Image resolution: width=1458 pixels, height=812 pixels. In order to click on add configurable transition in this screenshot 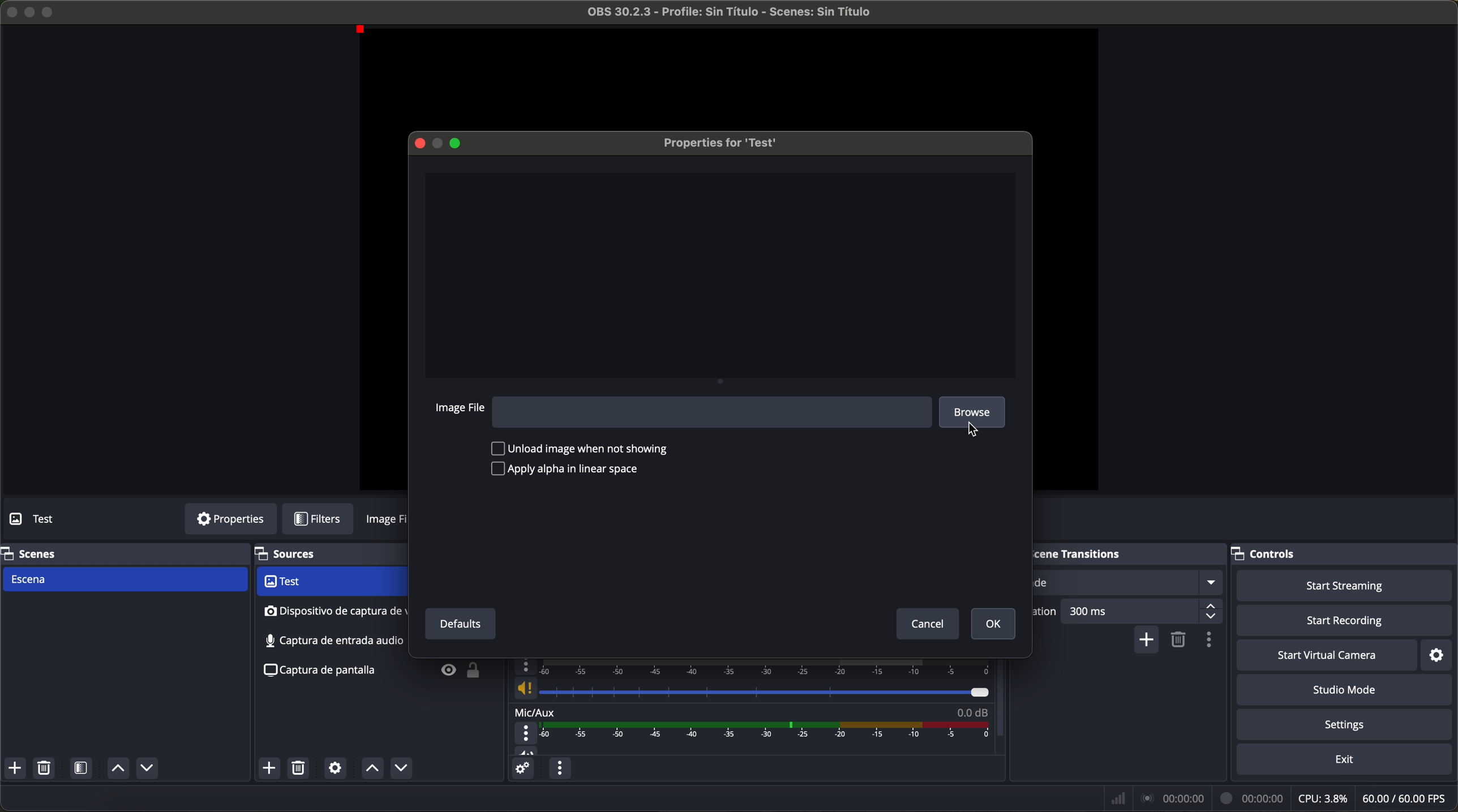, I will do `click(1147, 641)`.